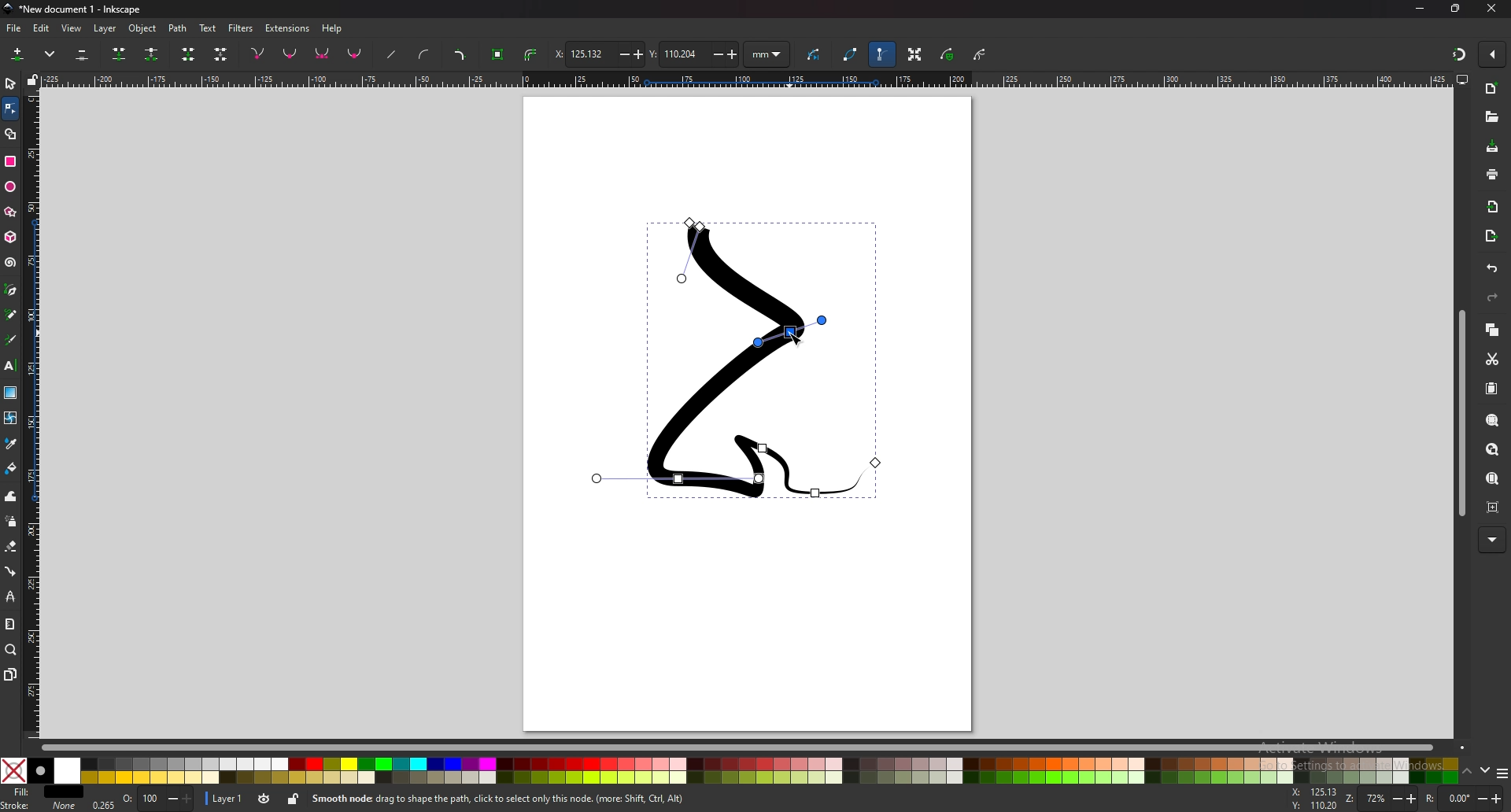  What do you see at coordinates (31, 413) in the screenshot?
I see `vertical scale` at bounding box center [31, 413].